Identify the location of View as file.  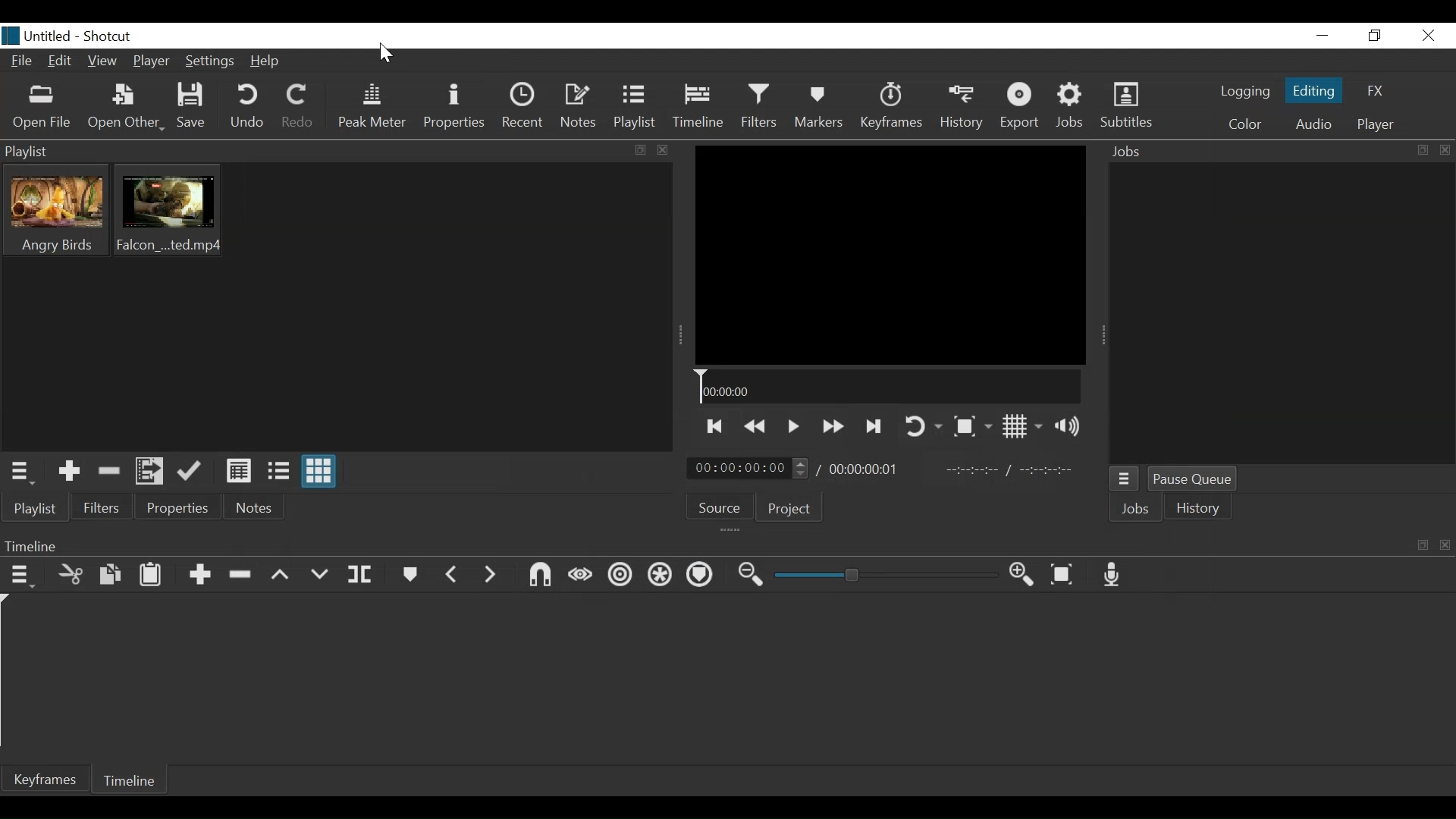
(278, 471).